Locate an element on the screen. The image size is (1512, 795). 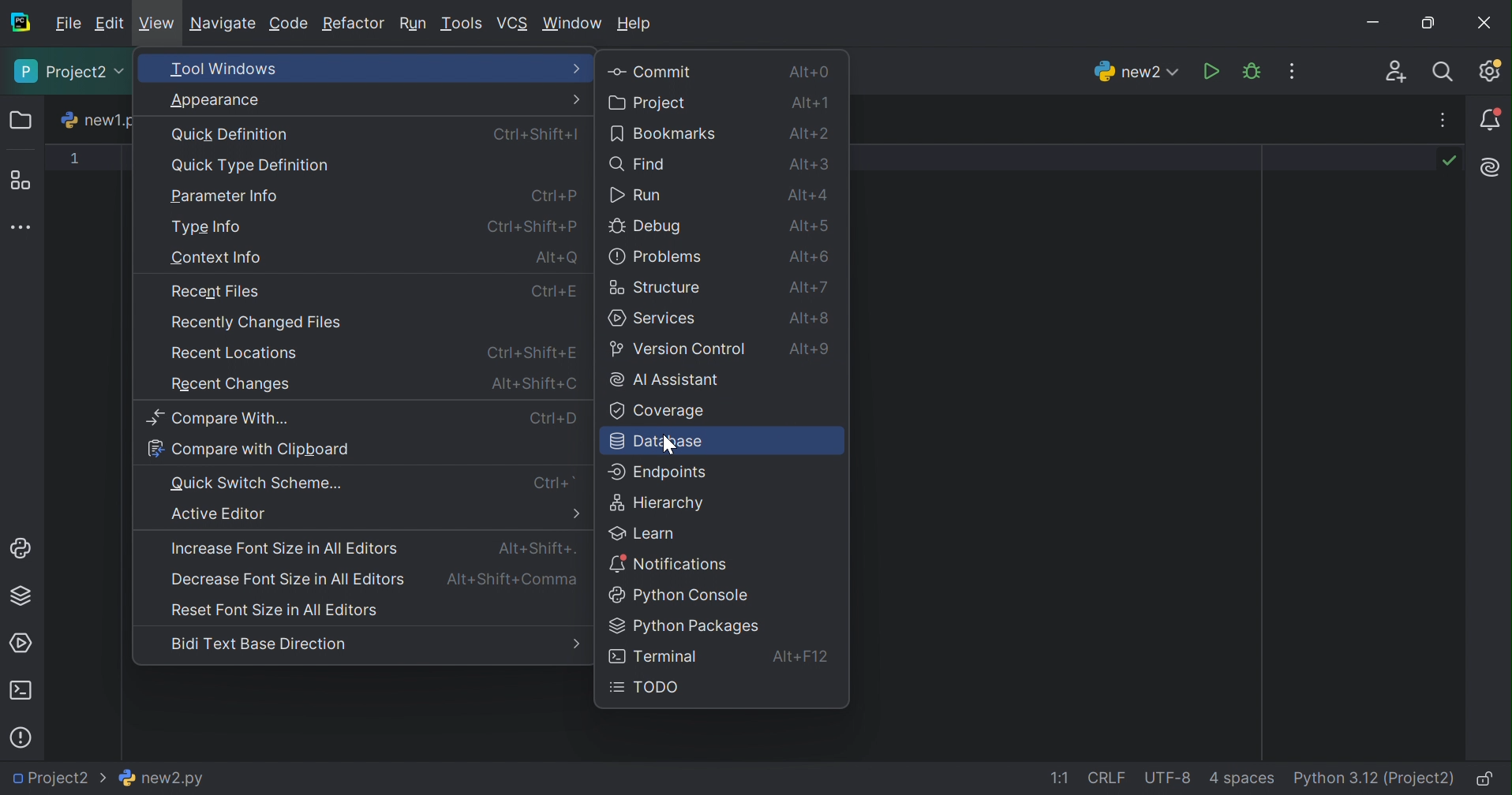
Refactor is located at coordinates (353, 23).